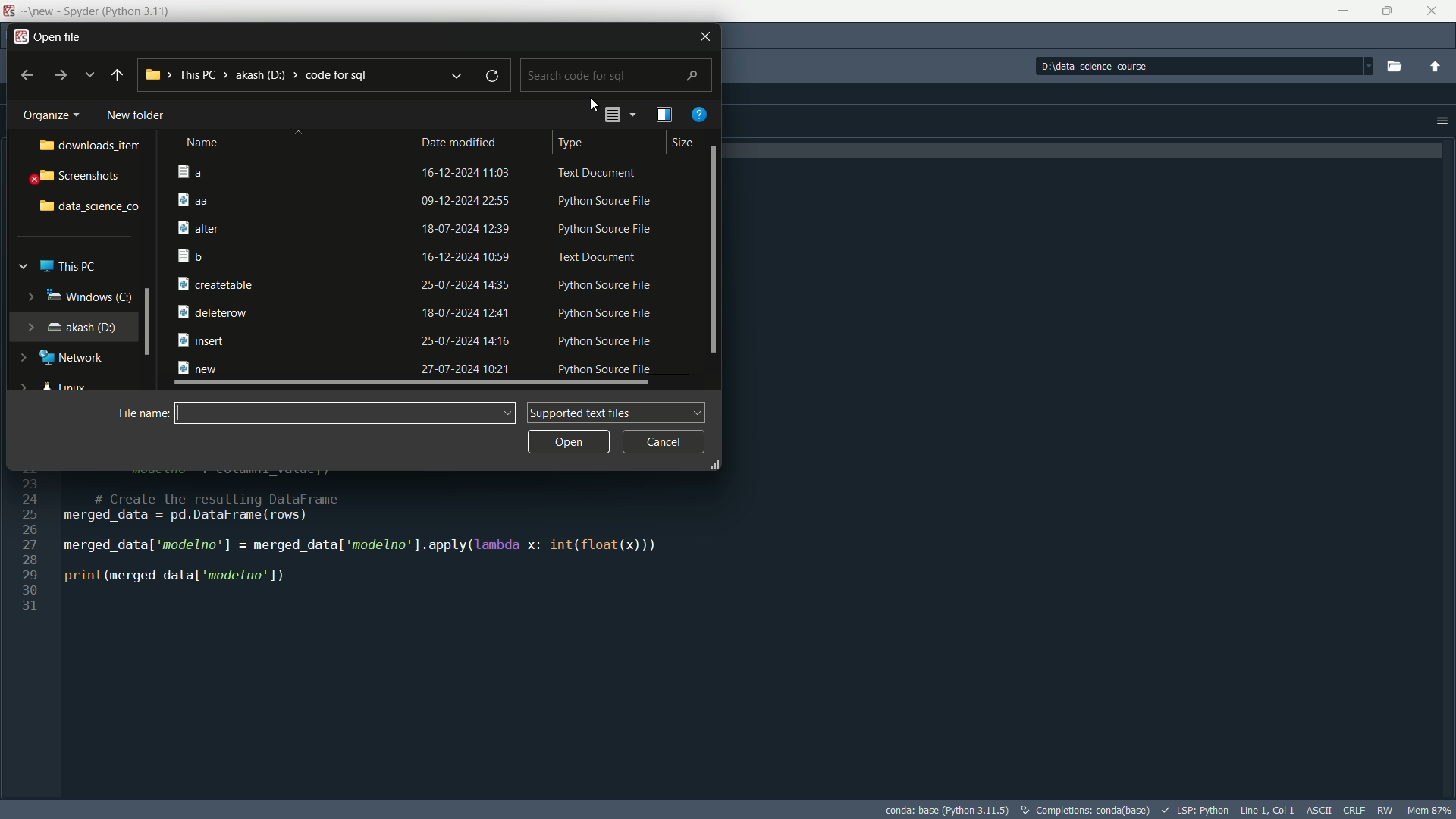 The width and height of the screenshot is (1456, 819). I want to click on new folder, so click(137, 115).